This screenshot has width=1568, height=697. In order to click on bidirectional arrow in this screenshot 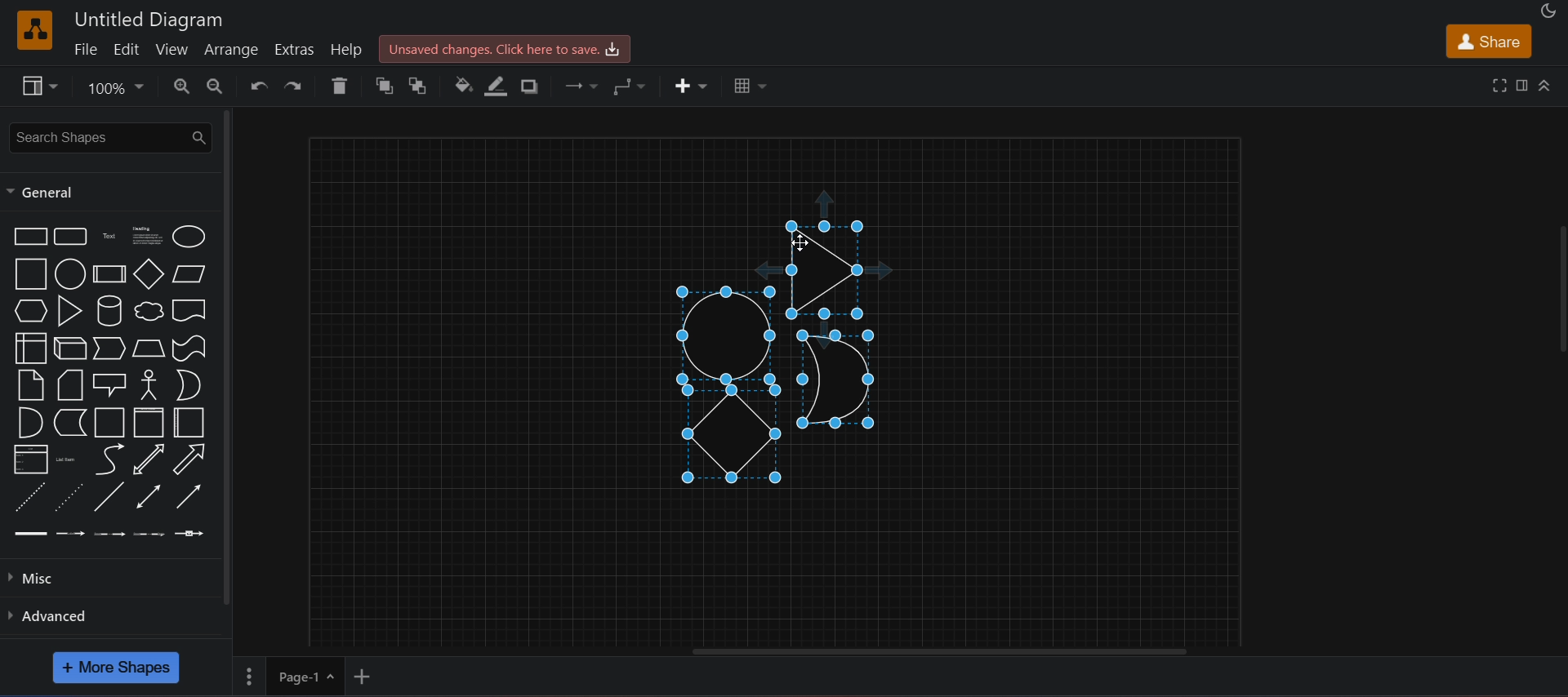, I will do `click(150, 459)`.